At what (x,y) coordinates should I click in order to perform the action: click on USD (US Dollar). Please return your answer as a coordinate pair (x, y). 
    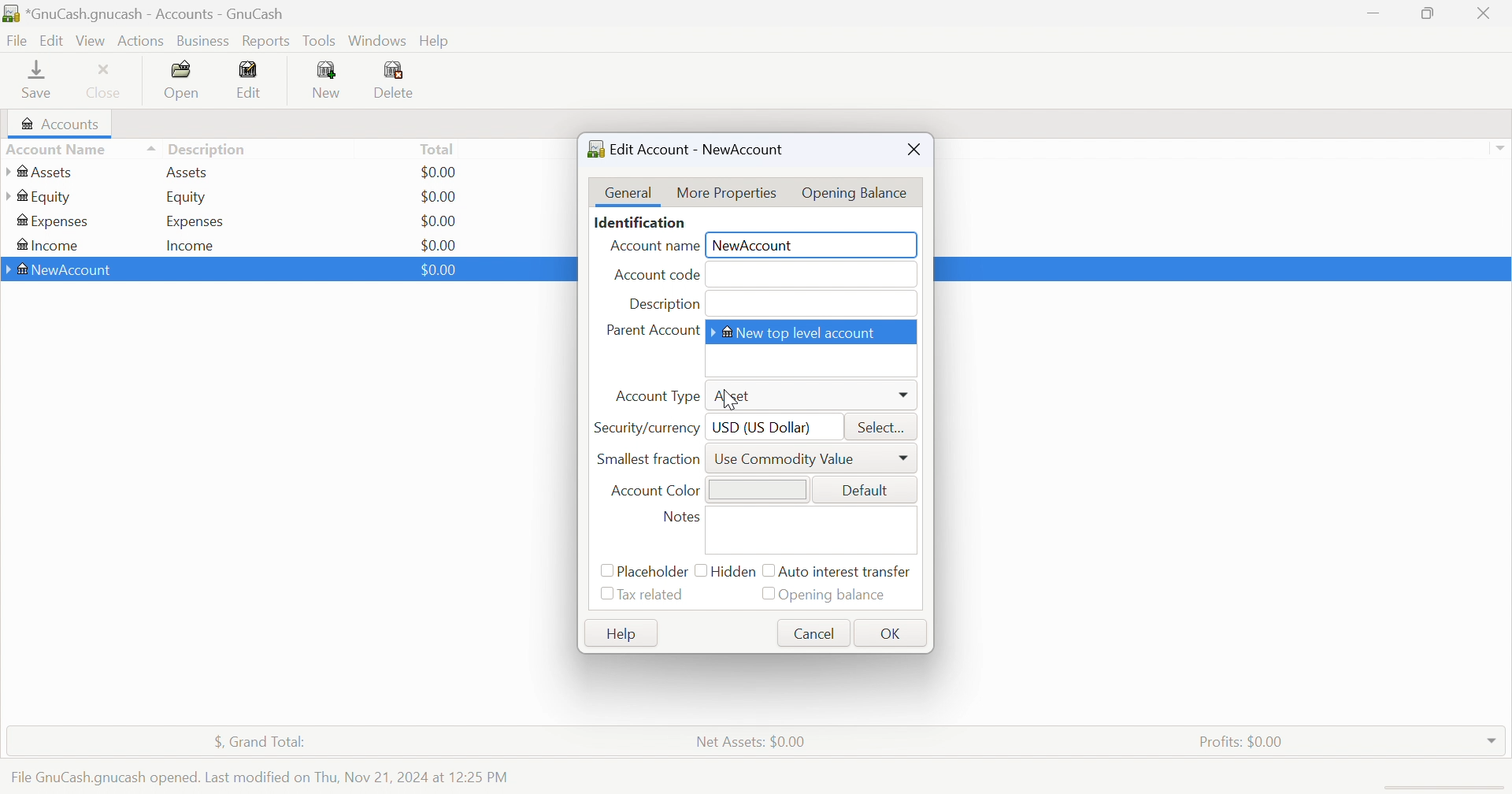
    Looking at the image, I should click on (768, 429).